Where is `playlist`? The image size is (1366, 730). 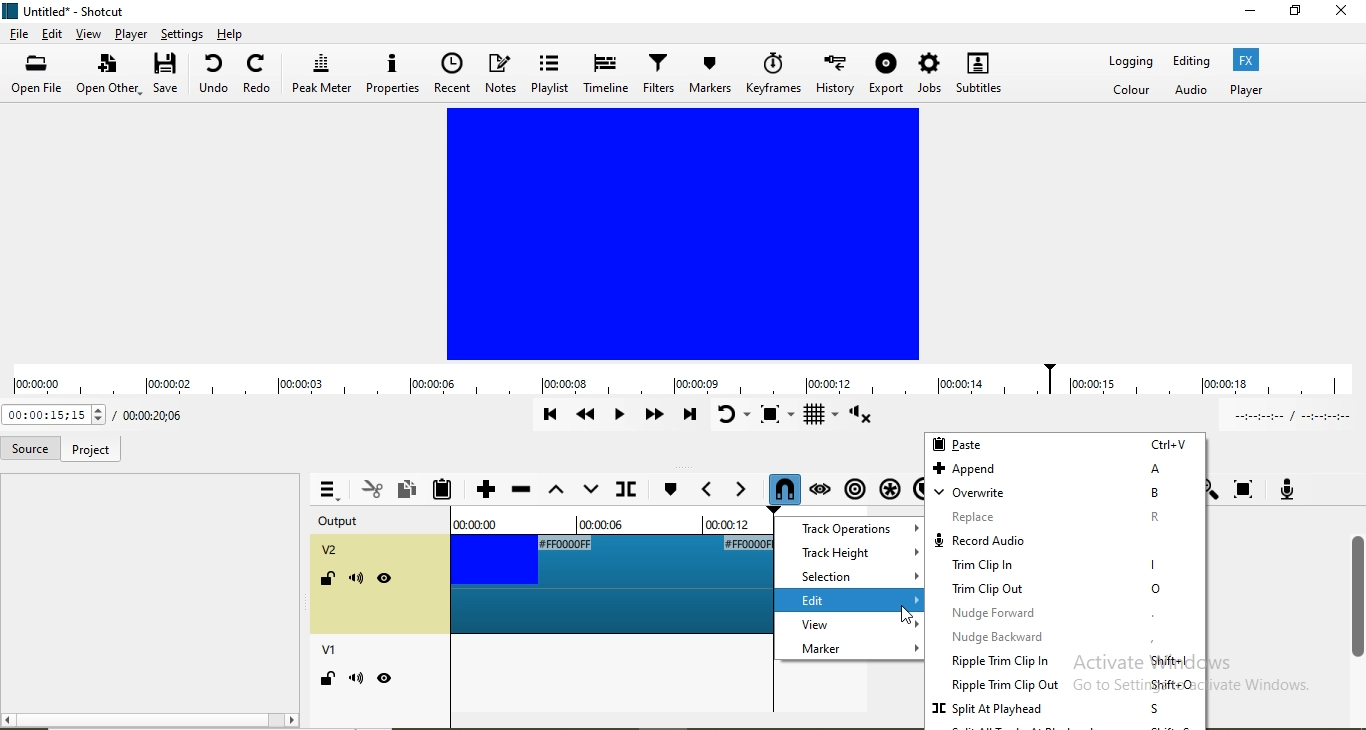 playlist is located at coordinates (551, 74).